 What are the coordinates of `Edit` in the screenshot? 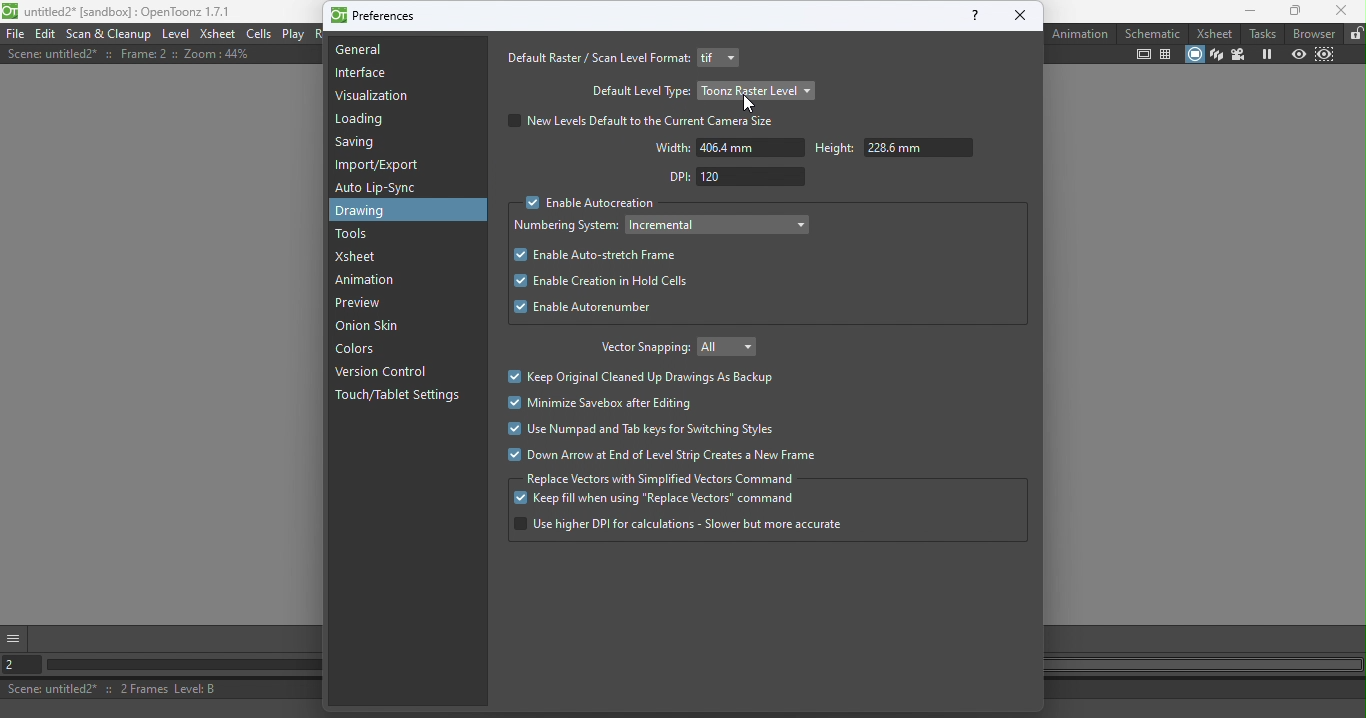 It's located at (47, 33).